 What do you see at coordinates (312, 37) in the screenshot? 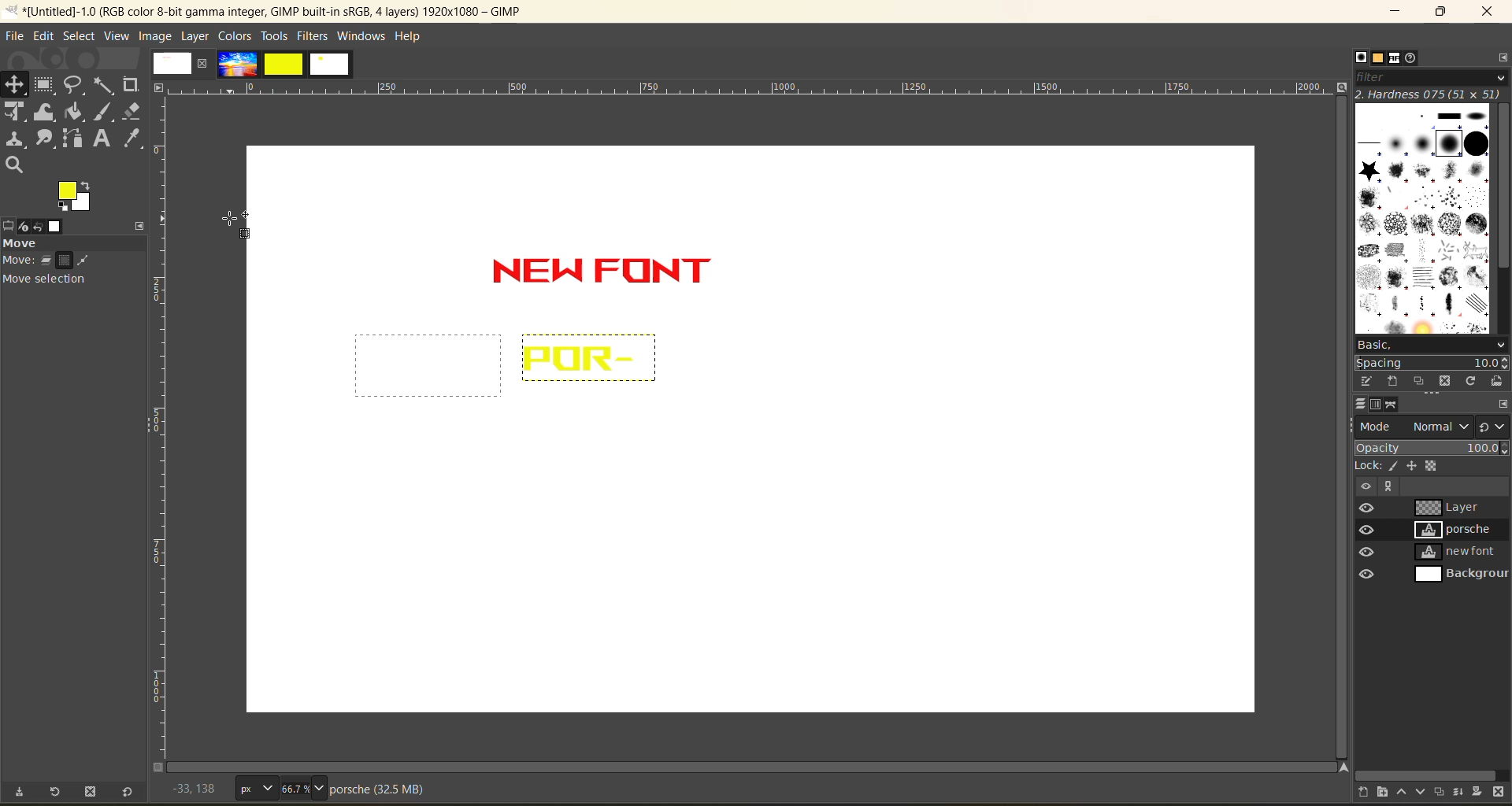
I see `filters` at bounding box center [312, 37].